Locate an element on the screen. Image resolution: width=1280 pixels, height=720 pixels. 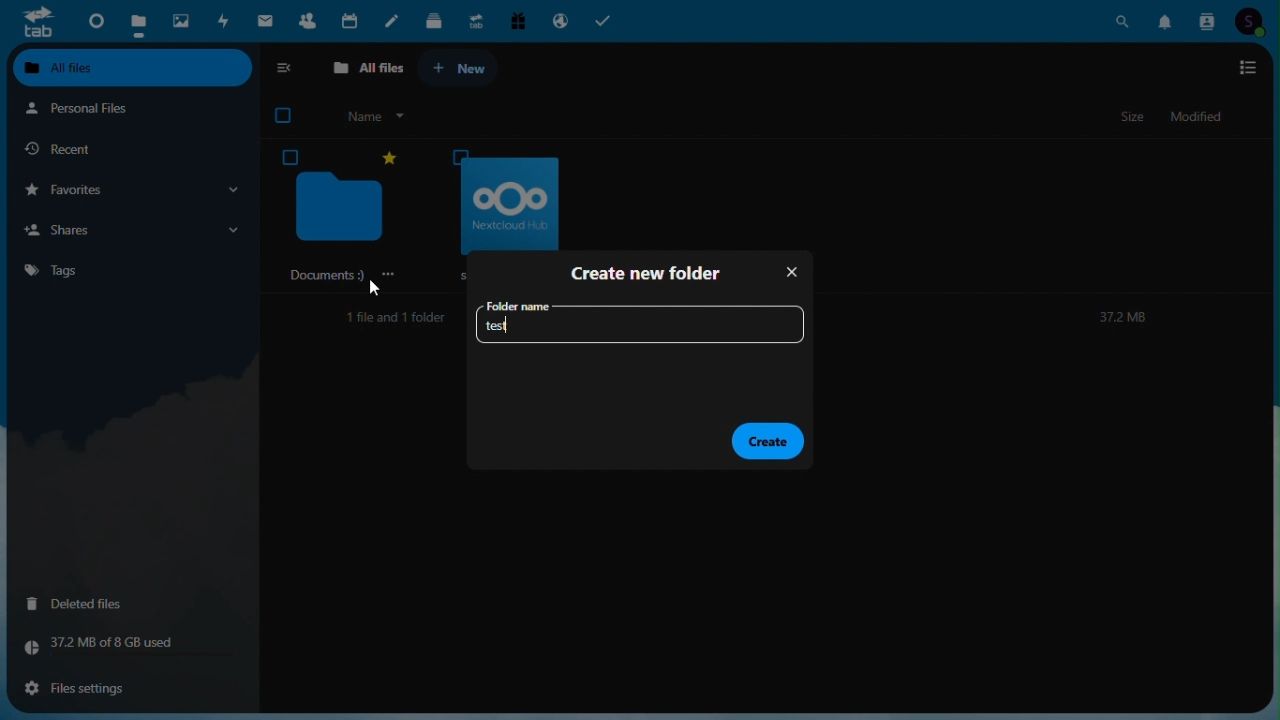
Tasks is located at coordinates (604, 19).